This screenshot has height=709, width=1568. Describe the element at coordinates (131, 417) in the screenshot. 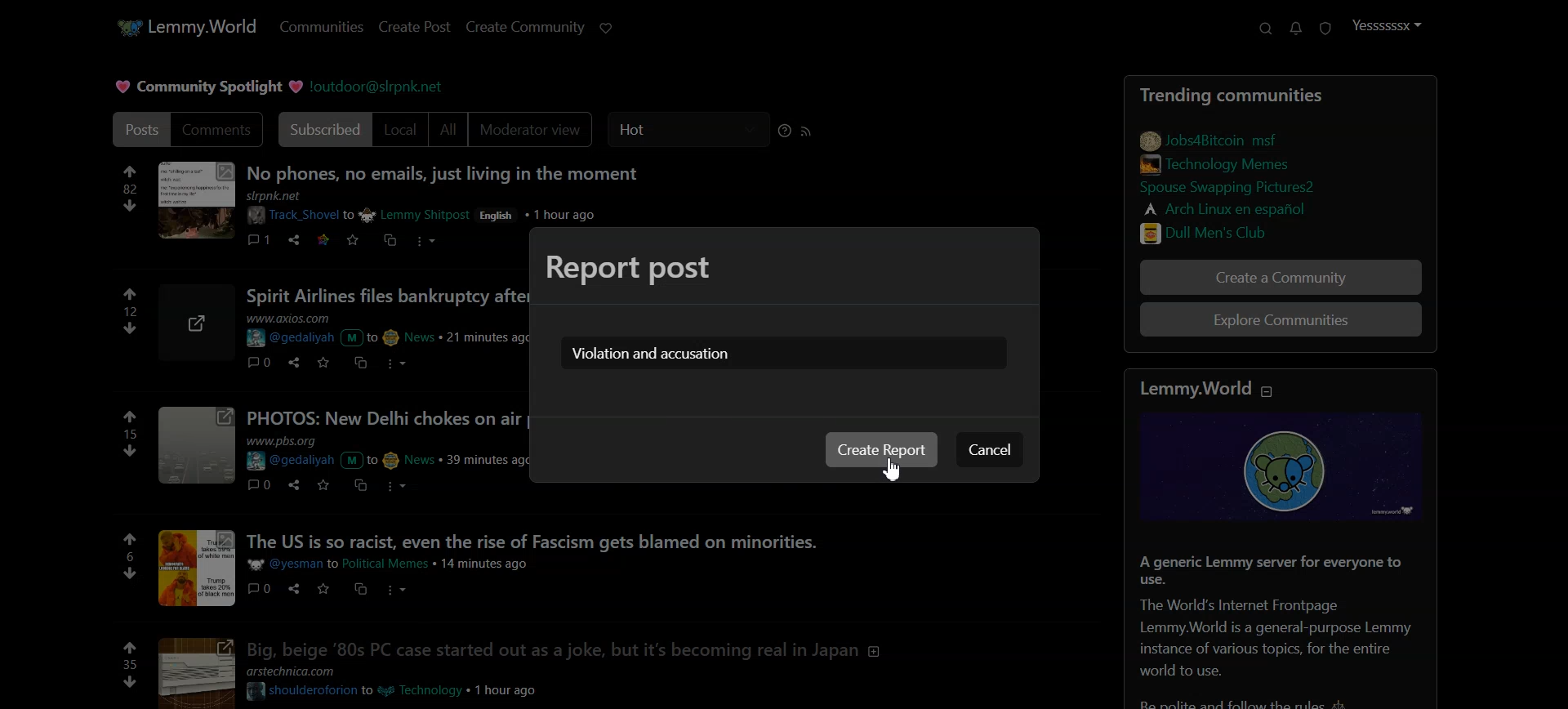

I see `upvote` at that location.